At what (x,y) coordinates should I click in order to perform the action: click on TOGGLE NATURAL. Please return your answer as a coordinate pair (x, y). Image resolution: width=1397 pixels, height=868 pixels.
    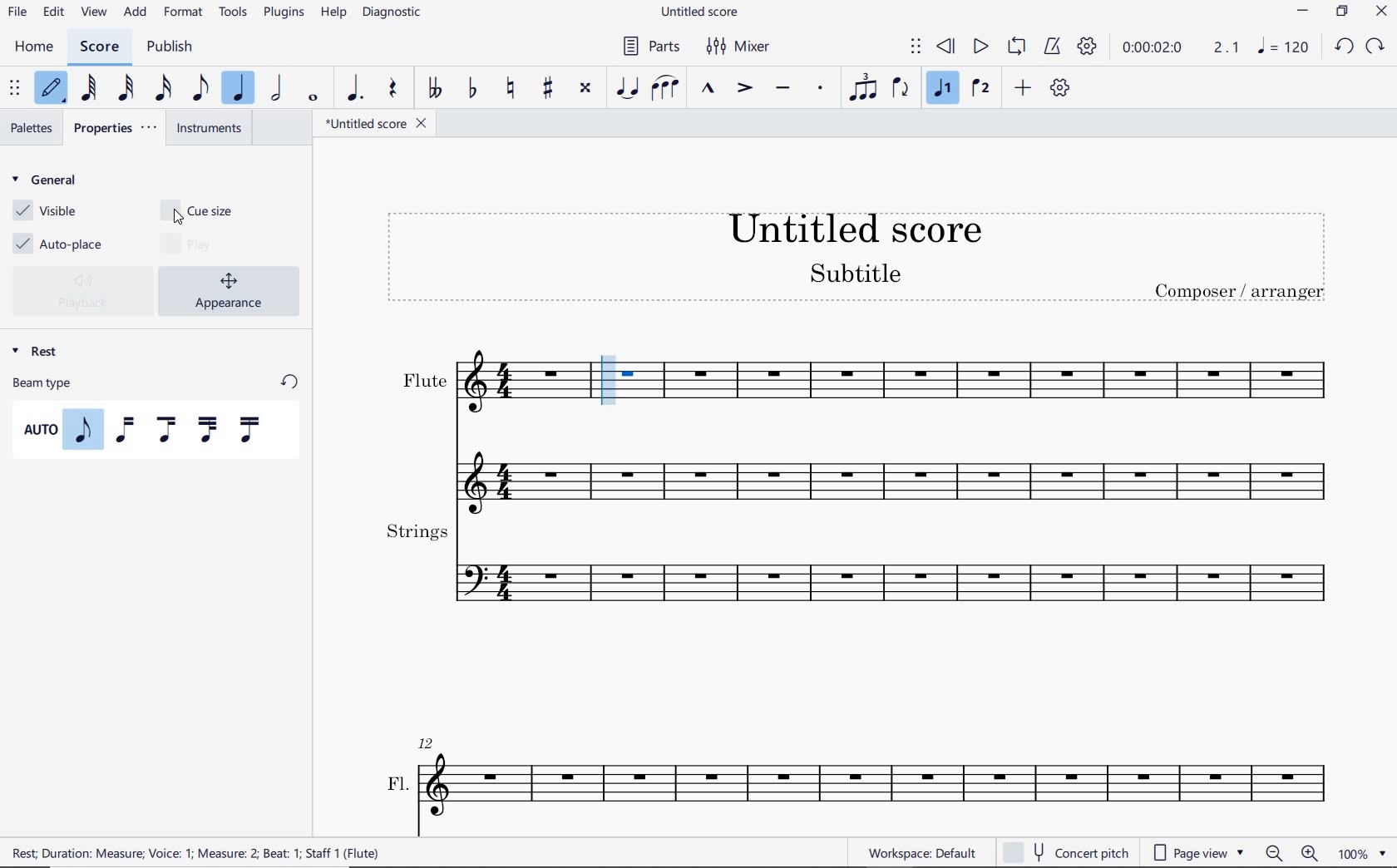
    Looking at the image, I should click on (512, 87).